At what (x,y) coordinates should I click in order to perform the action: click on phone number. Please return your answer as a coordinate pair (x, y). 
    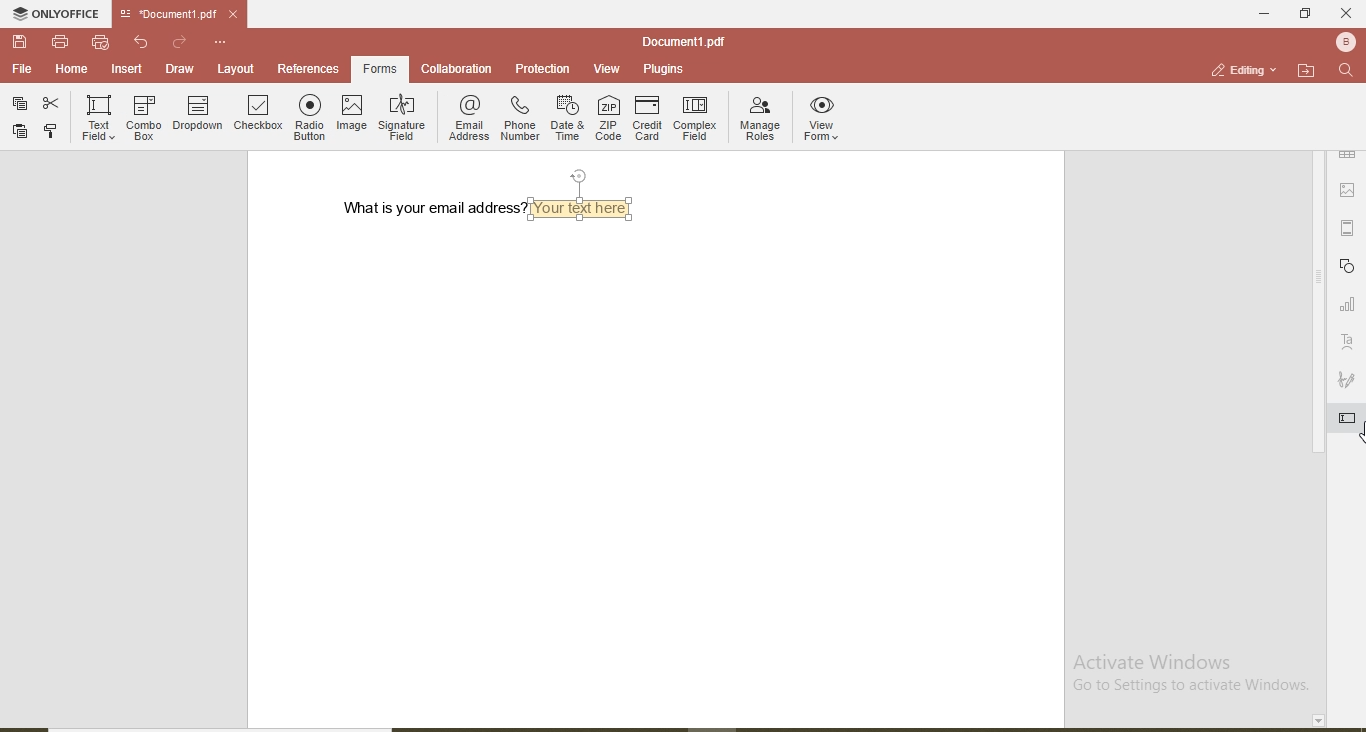
    Looking at the image, I should click on (519, 121).